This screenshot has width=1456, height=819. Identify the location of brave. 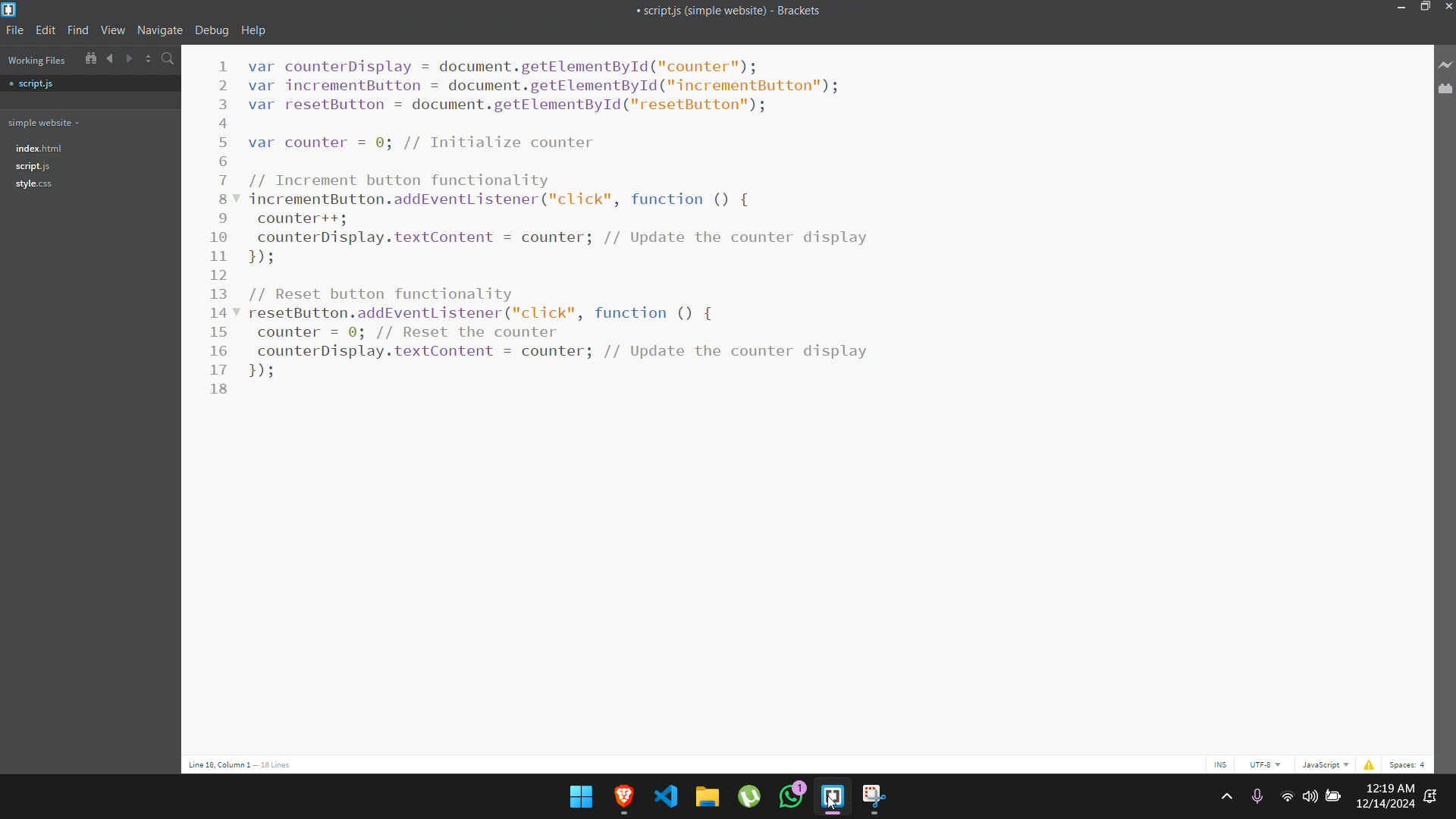
(624, 798).